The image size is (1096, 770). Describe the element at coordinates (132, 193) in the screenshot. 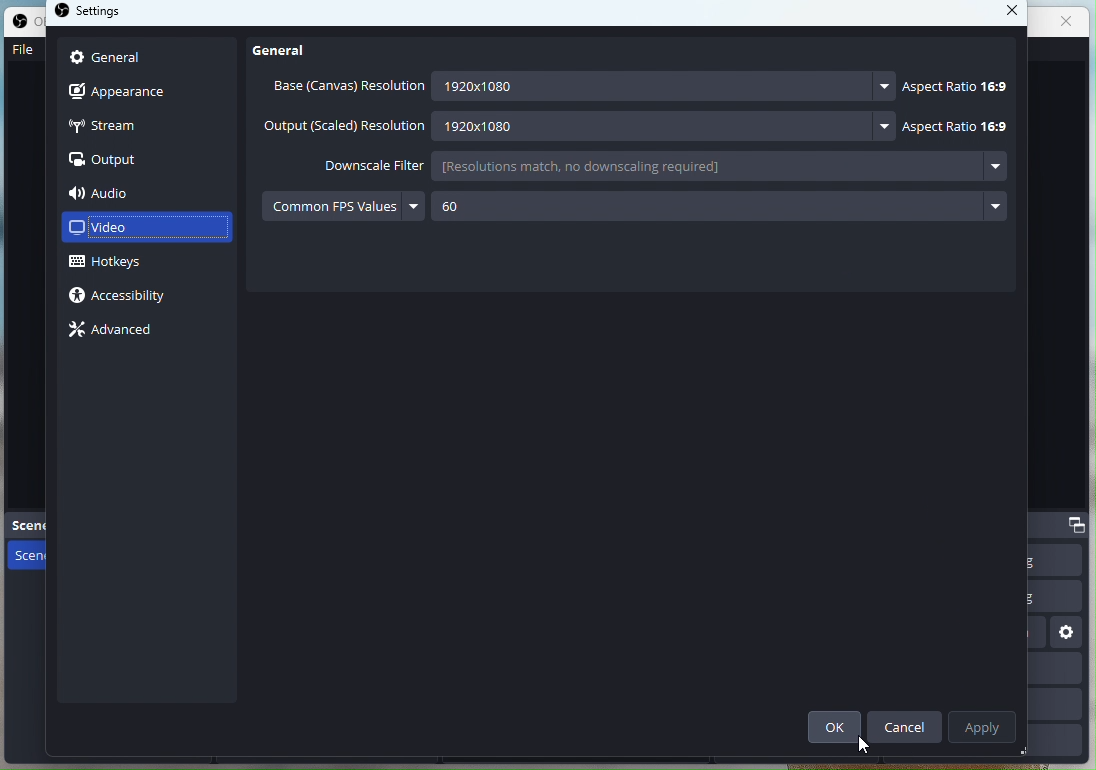

I see `Audio` at that location.